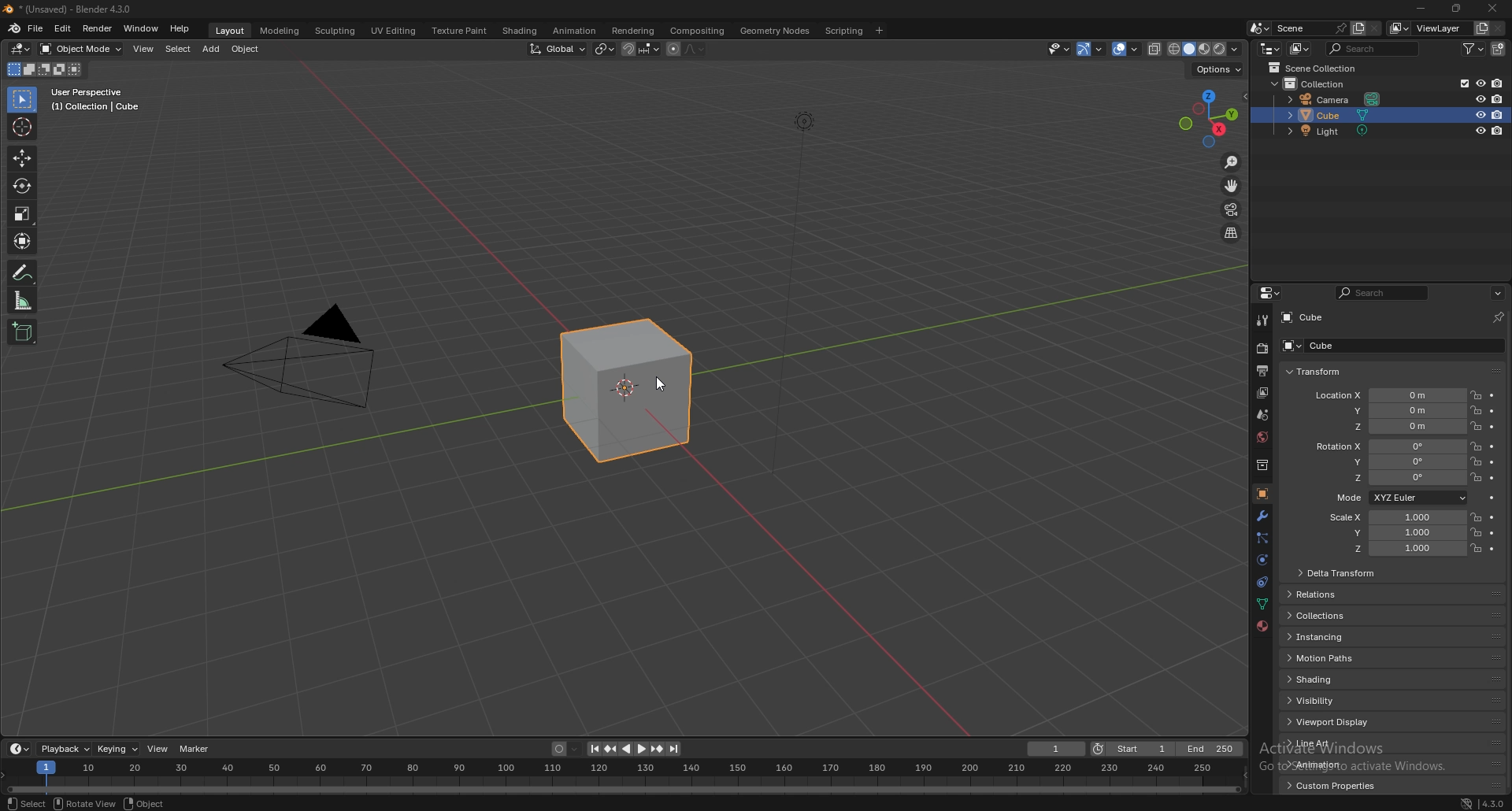 The height and width of the screenshot is (811, 1512). Describe the element at coordinates (878, 31) in the screenshot. I see `add workspace` at that location.